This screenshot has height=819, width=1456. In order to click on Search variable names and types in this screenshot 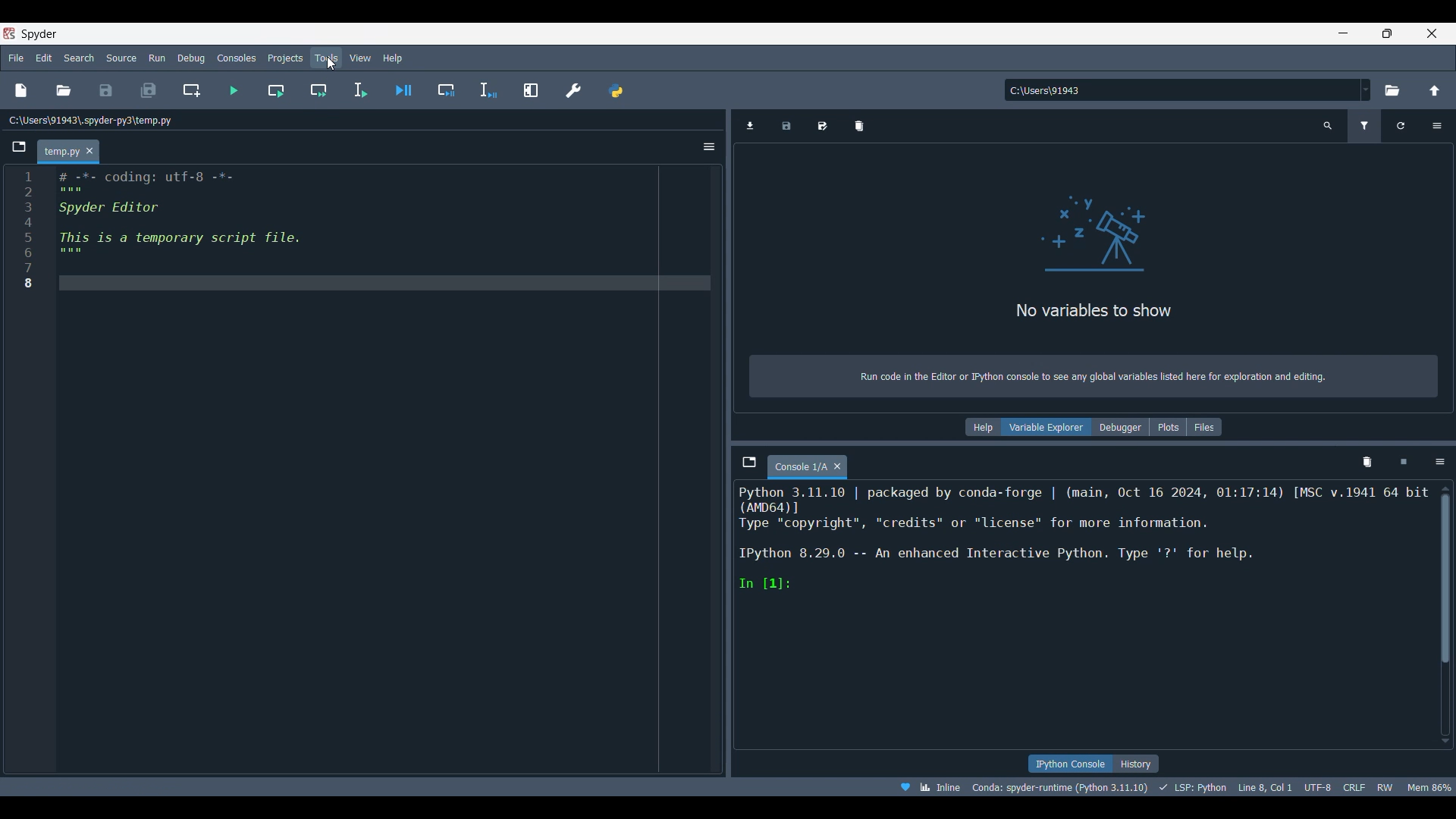, I will do `click(1329, 126)`.